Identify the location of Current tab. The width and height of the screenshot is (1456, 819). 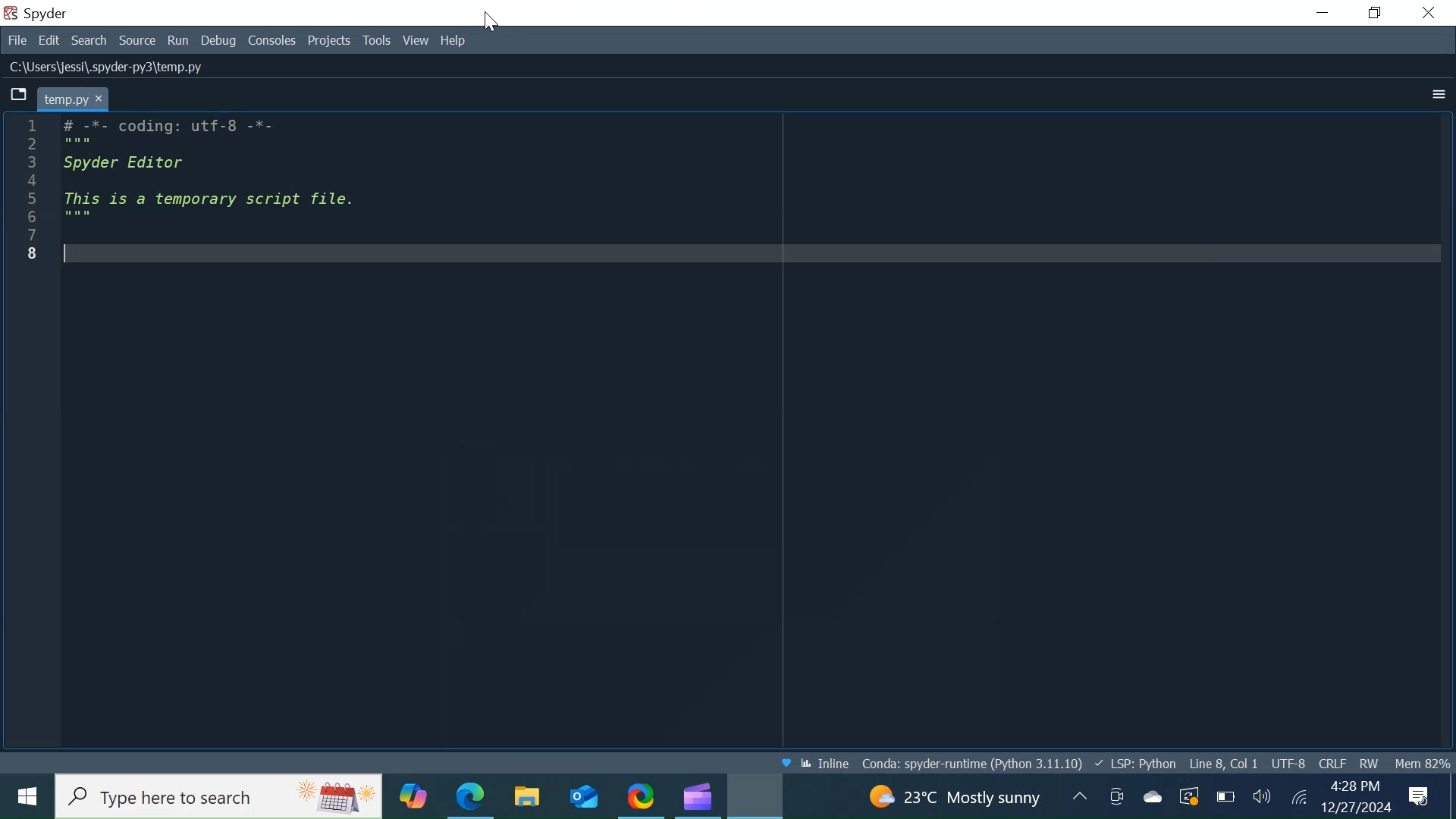
(74, 98).